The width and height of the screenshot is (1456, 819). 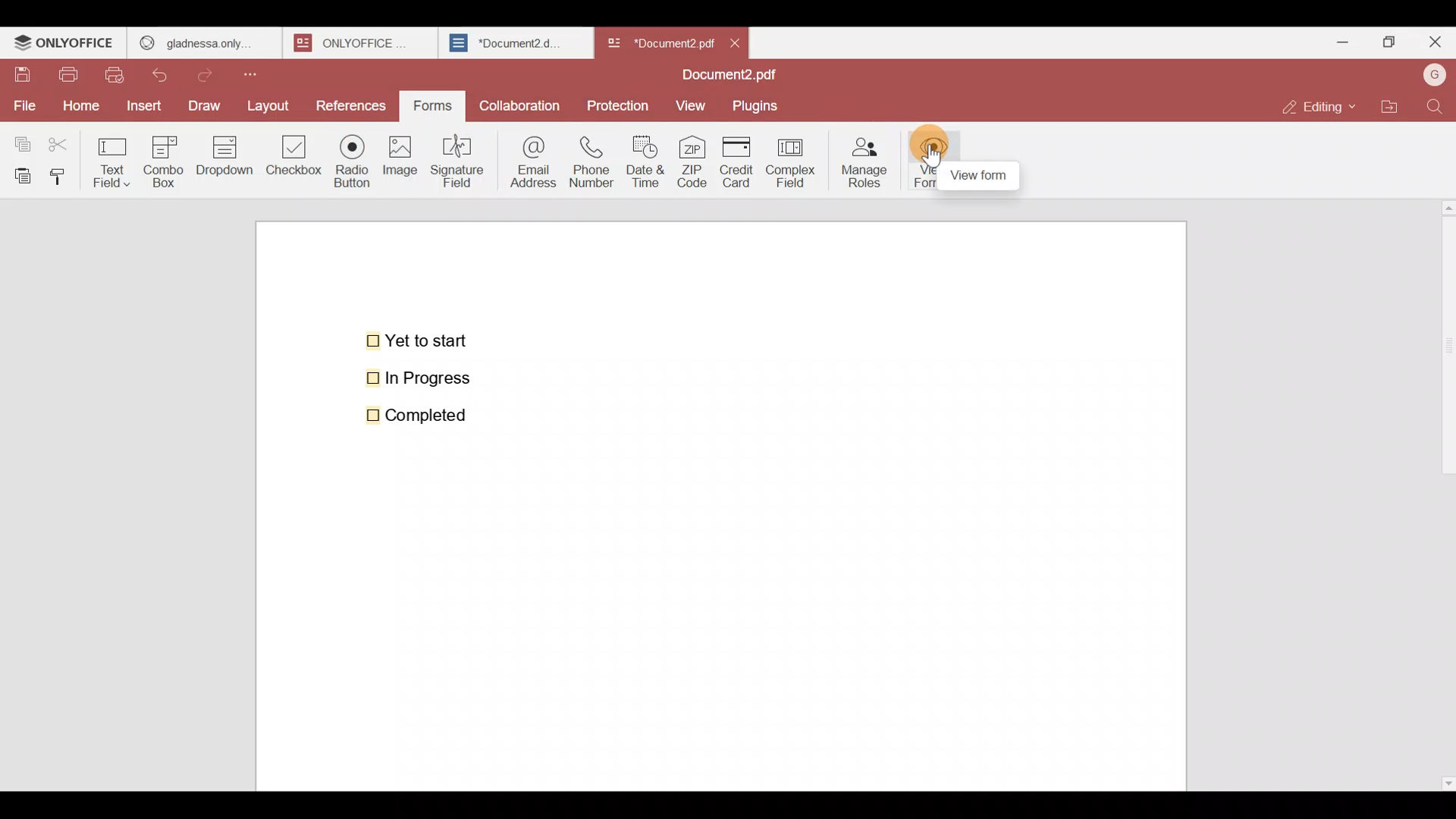 What do you see at coordinates (426, 415) in the screenshot?
I see `Completed` at bounding box center [426, 415].